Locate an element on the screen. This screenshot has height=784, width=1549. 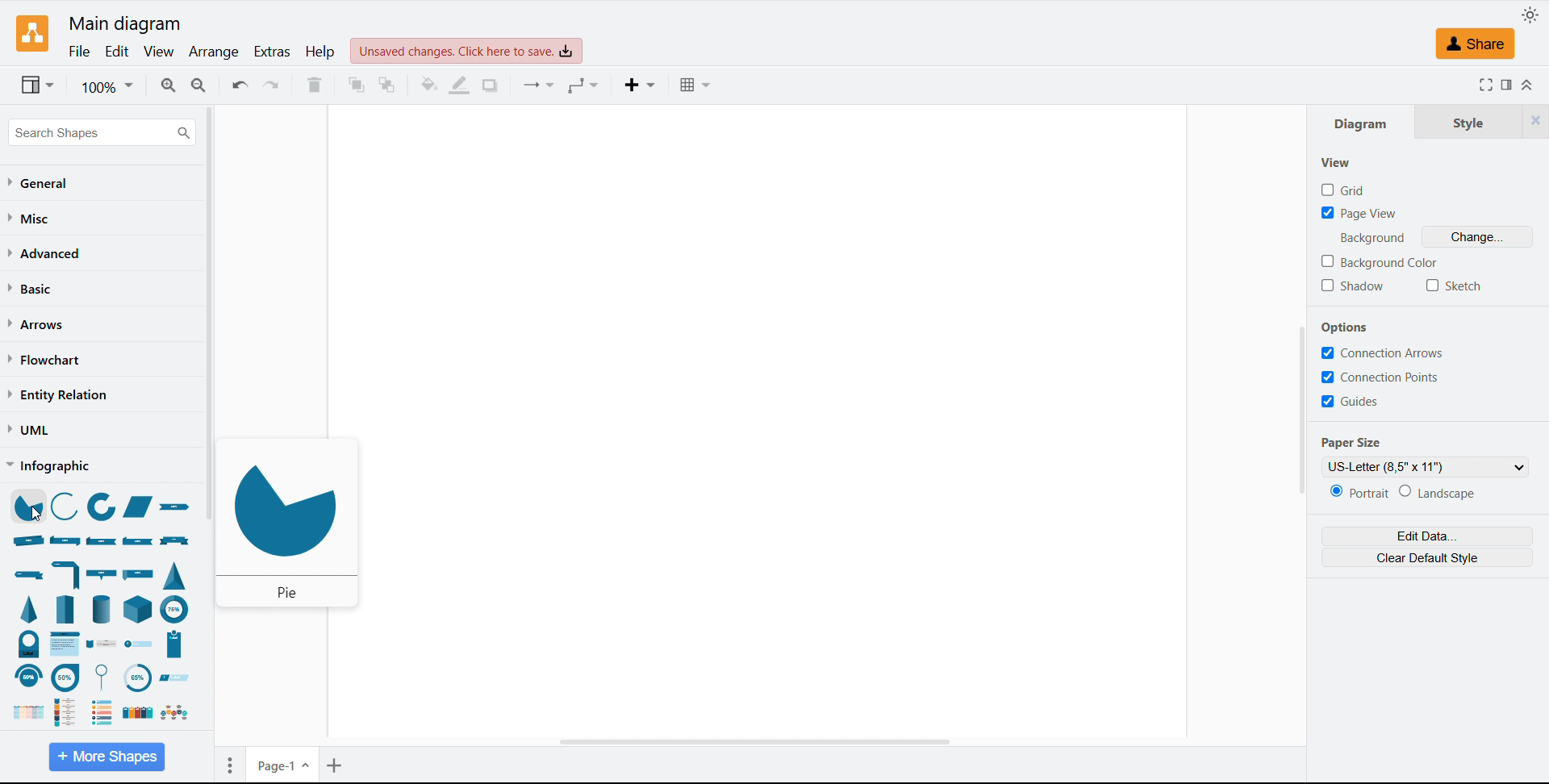
Advanced  is located at coordinates (45, 253).